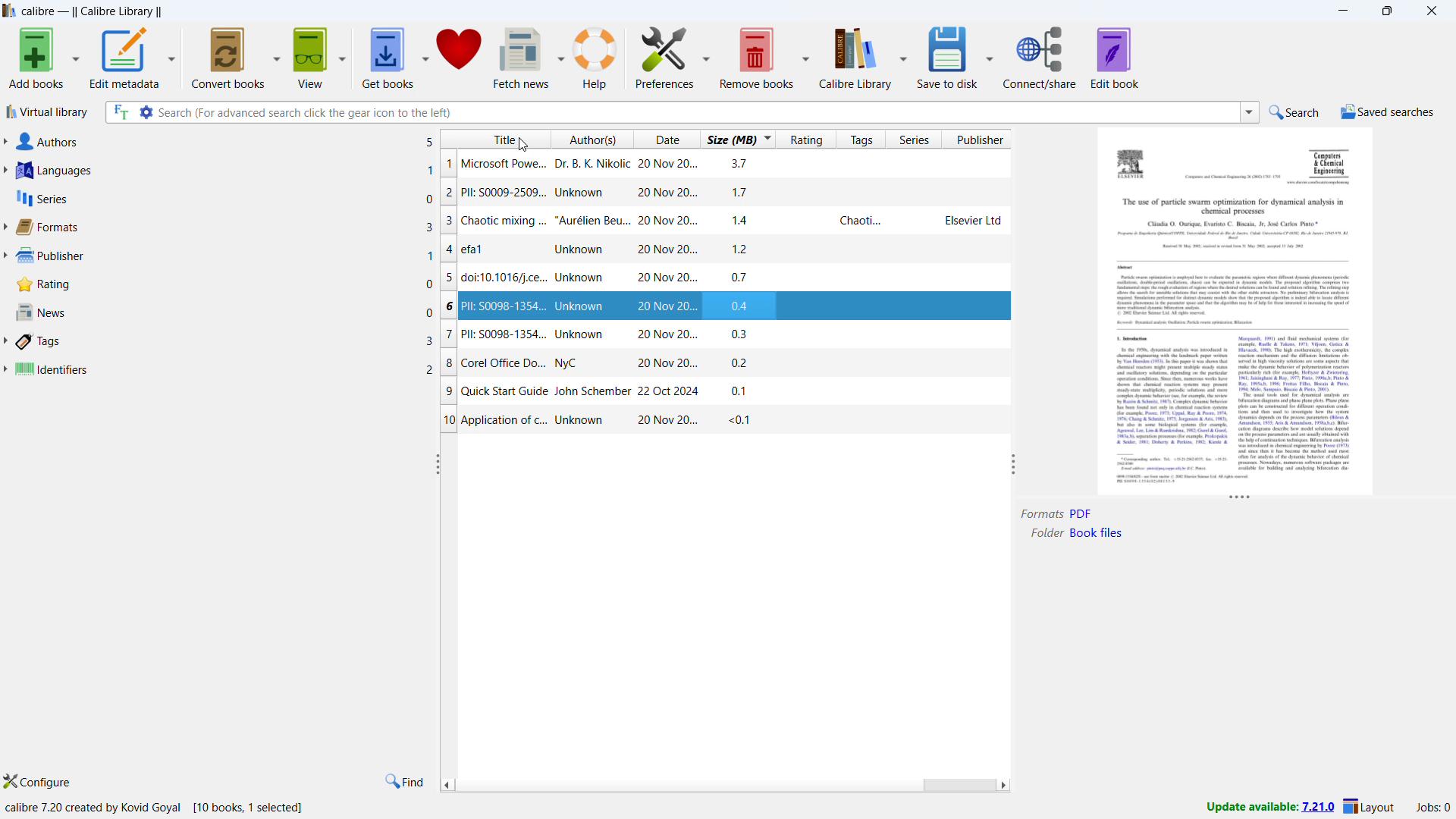 Image resolution: width=1456 pixels, height=819 pixels. Describe the element at coordinates (582, 278) in the screenshot. I see `doi:10.1016/j.ce... Unknown 20 Nov 20...` at that location.